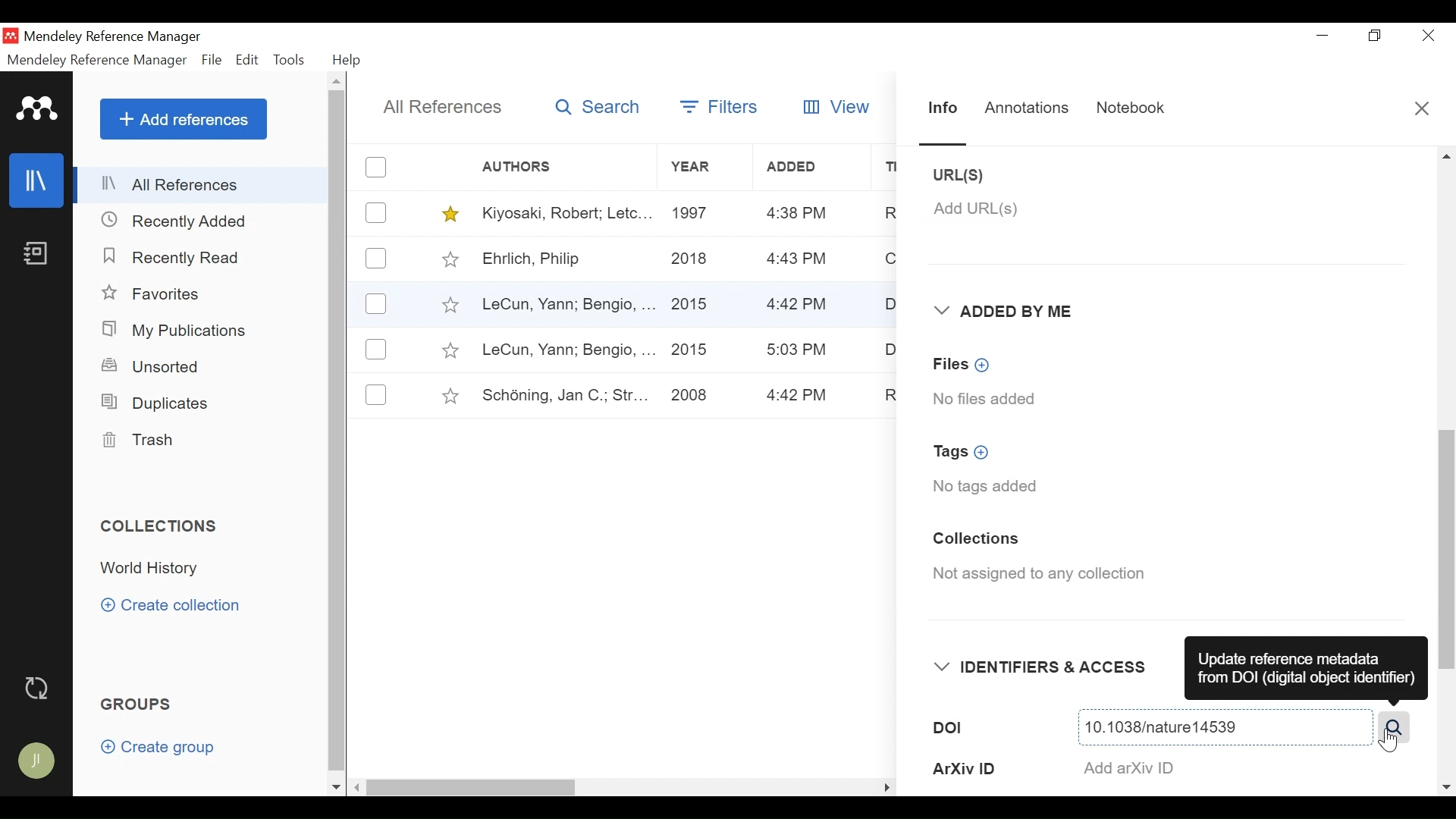  Describe the element at coordinates (689, 397) in the screenshot. I see `2008` at that location.